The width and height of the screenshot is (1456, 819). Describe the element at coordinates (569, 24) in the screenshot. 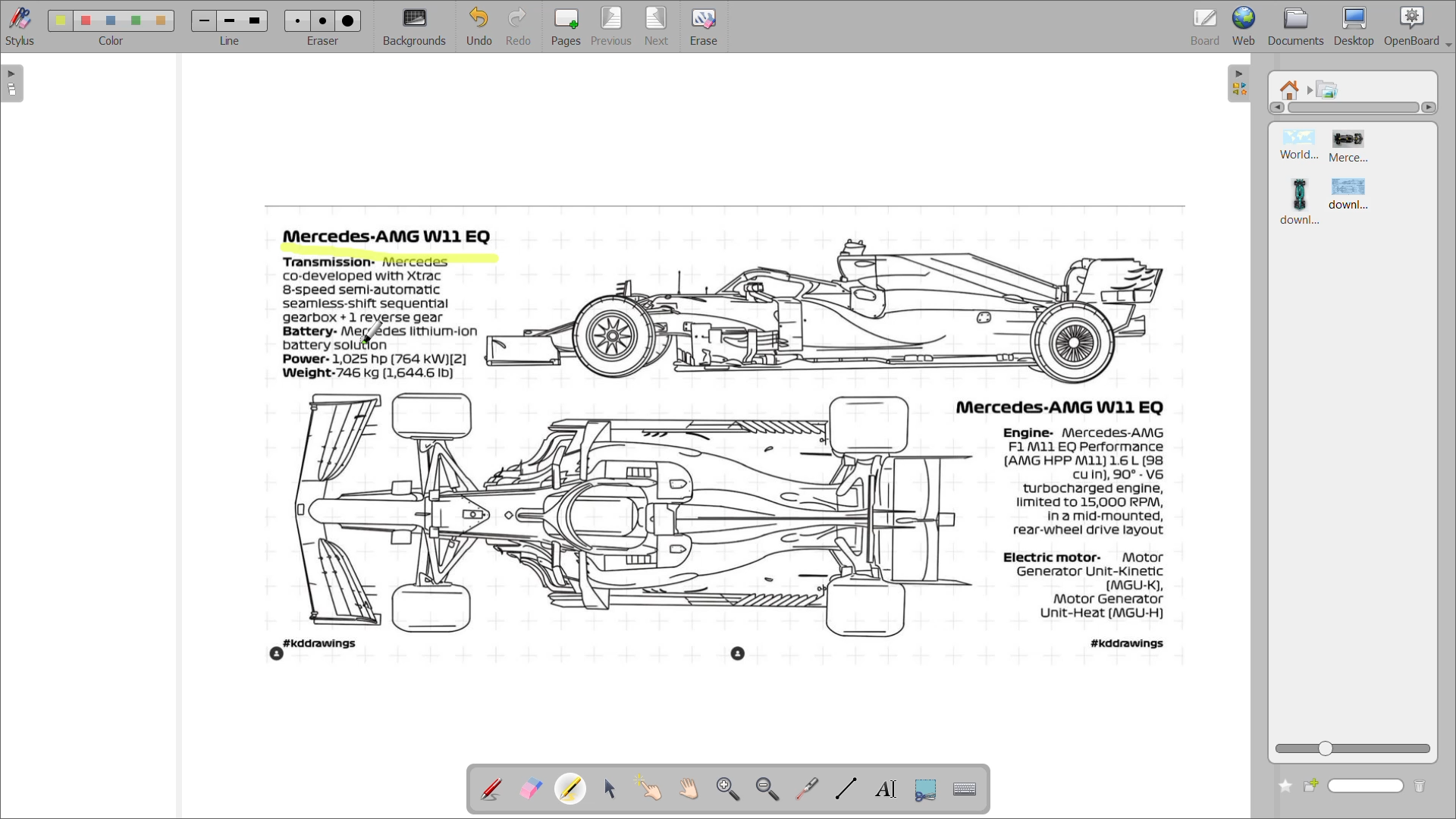

I see `pages` at that location.